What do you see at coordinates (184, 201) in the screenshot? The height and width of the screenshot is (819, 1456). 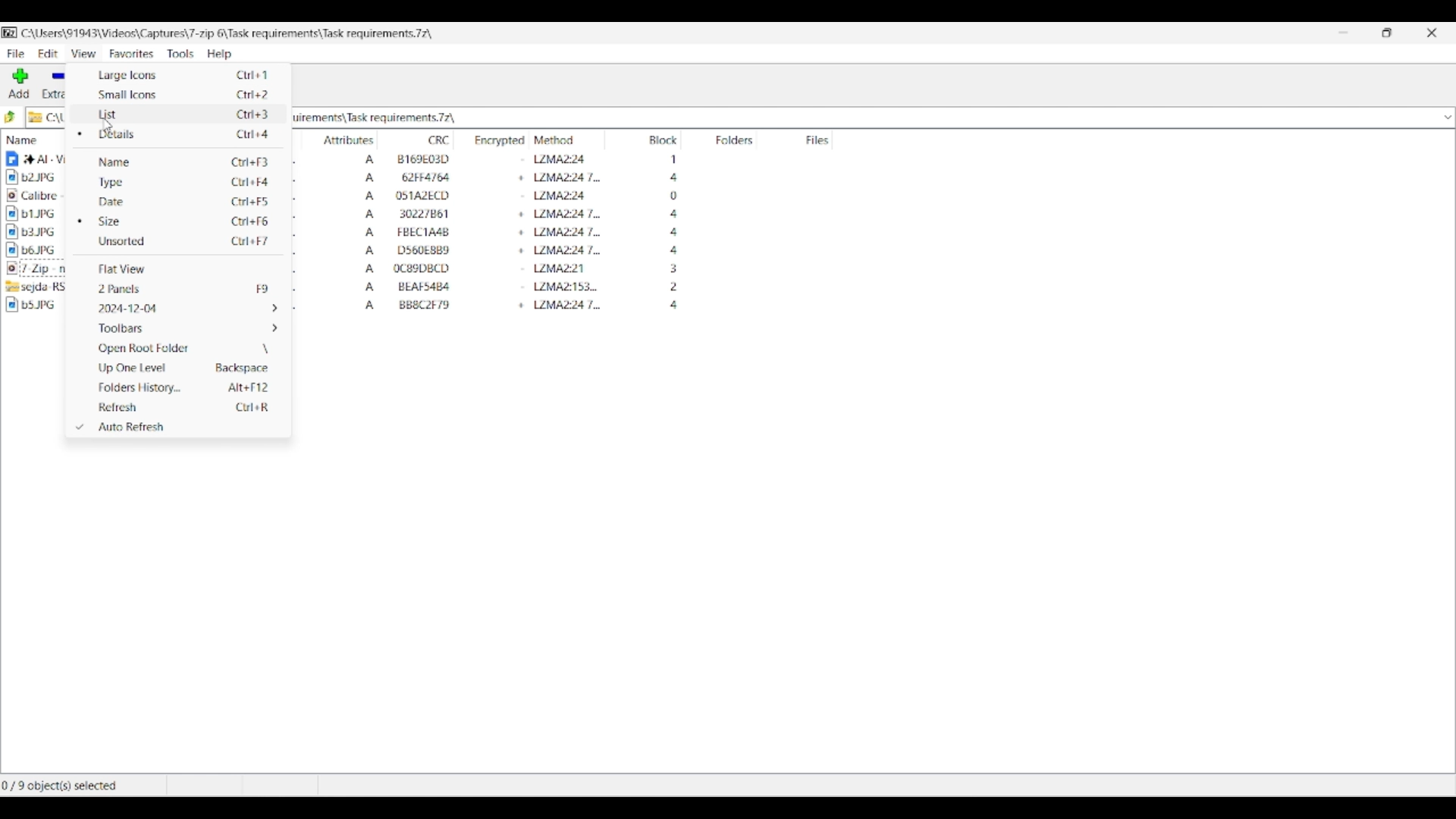 I see `Date` at bounding box center [184, 201].